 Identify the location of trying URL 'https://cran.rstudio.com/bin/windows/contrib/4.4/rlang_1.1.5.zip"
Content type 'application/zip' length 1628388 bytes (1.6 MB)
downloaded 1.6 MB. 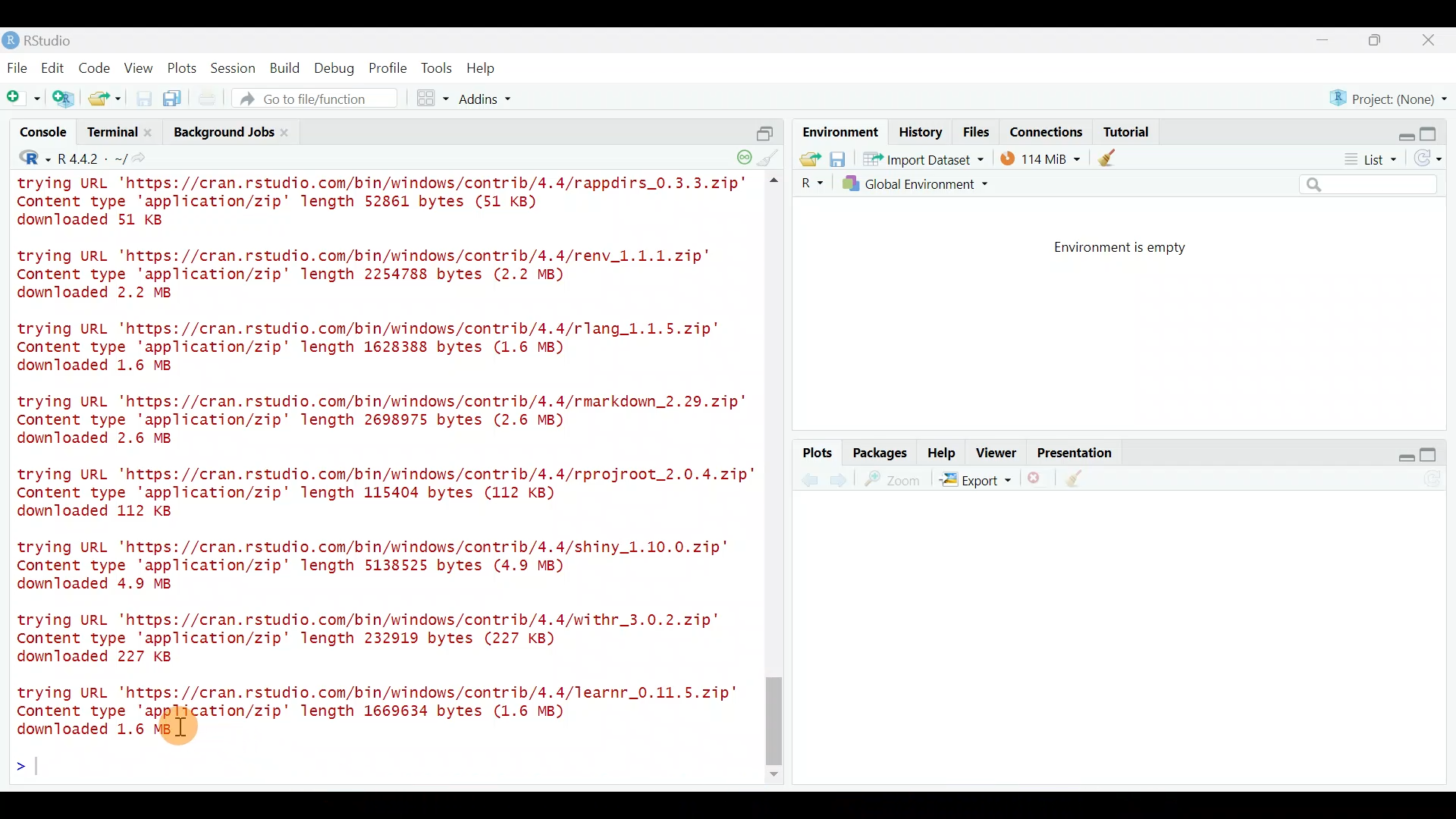
(382, 350).